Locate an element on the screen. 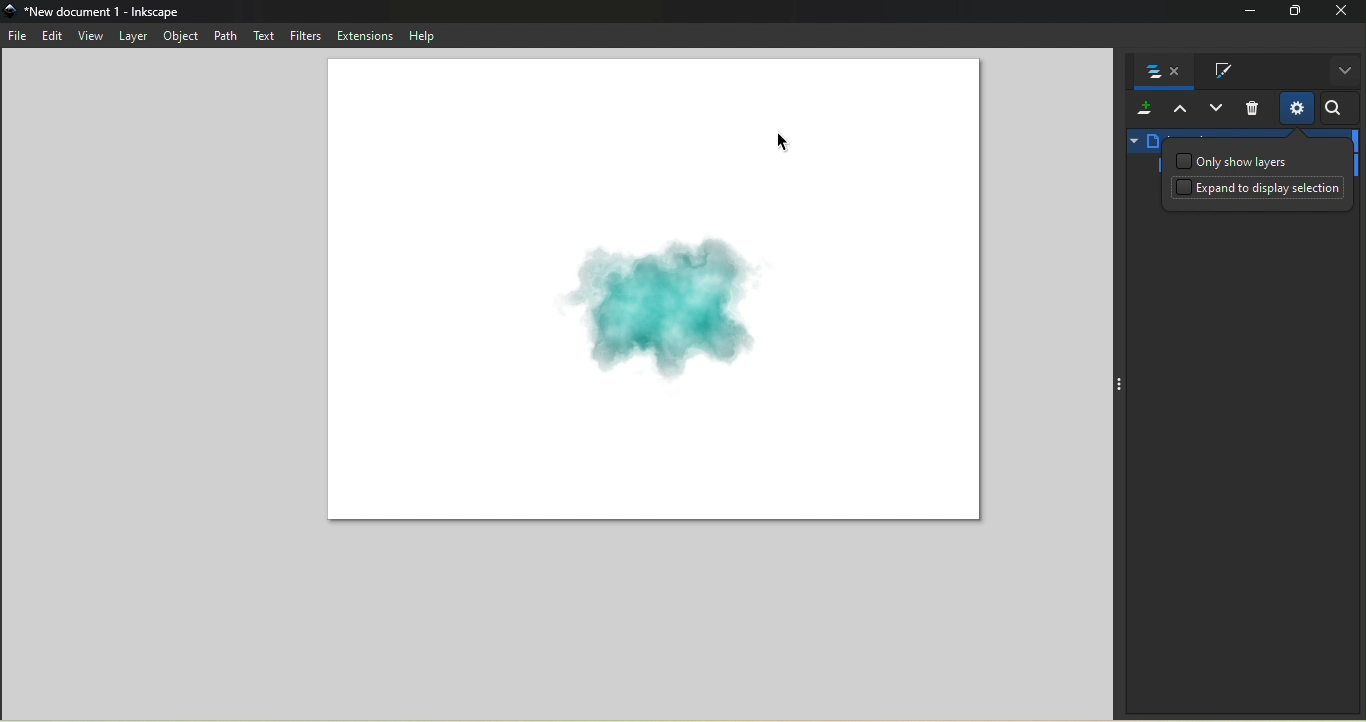 The image size is (1366, 722). Edit is located at coordinates (52, 36).